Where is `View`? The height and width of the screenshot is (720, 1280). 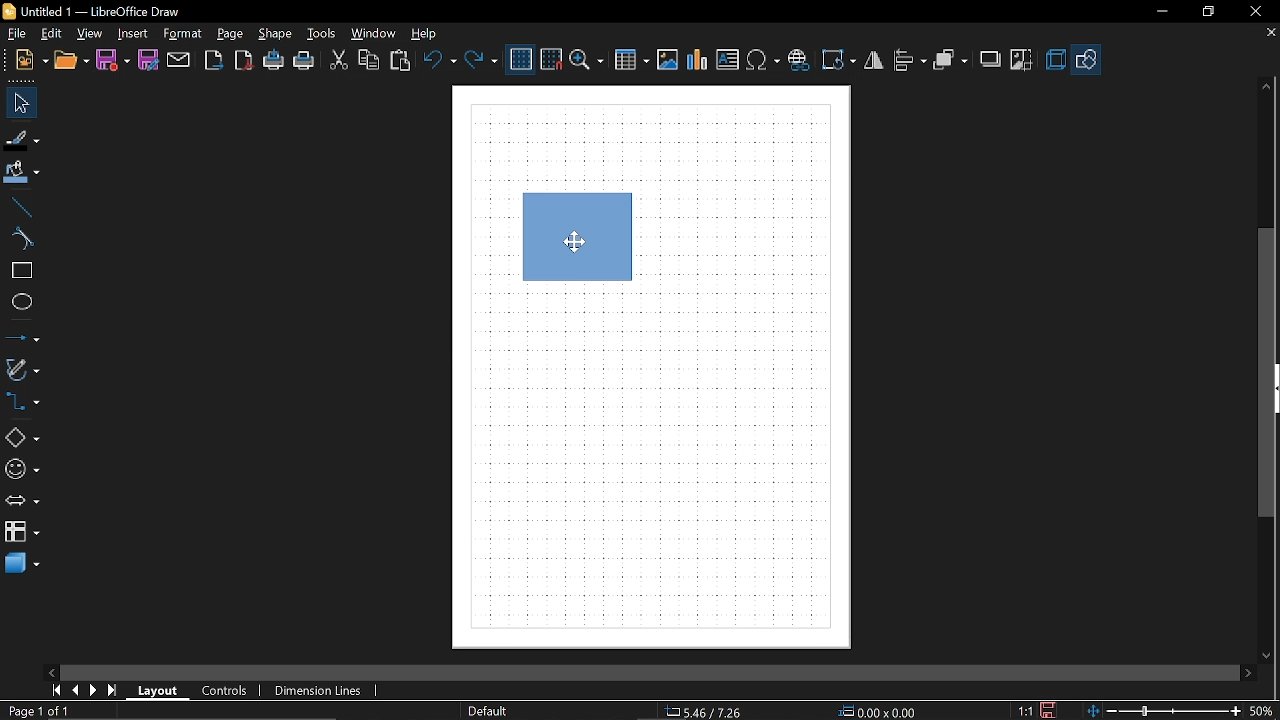
View is located at coordinates (90, 33).